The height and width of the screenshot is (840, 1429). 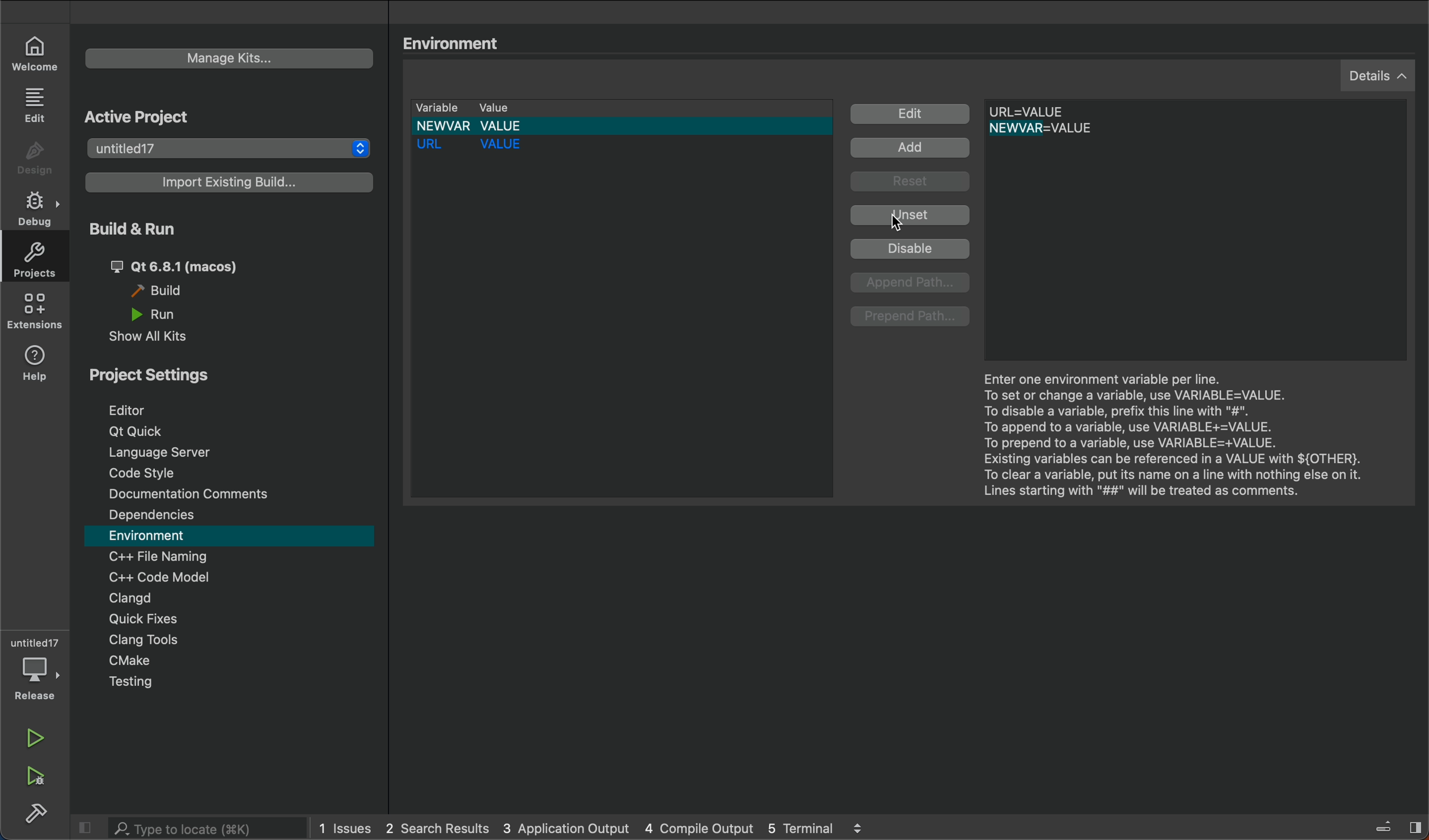 What do you see at coordinates (150, 120) in the screenshot?
I see `active project` at bounding box center [150, 120].